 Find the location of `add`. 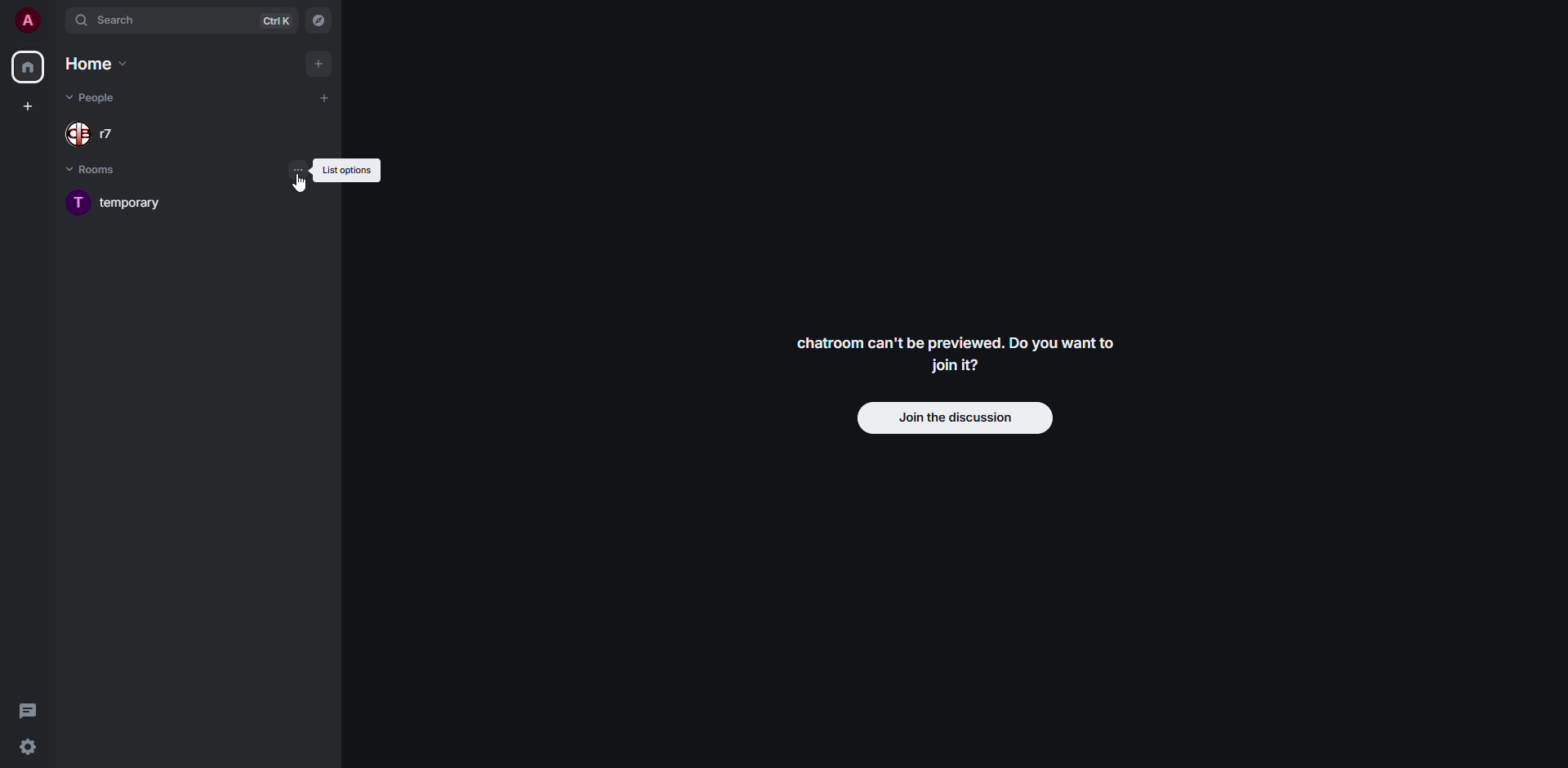

add is located at coordinates (325, 98).